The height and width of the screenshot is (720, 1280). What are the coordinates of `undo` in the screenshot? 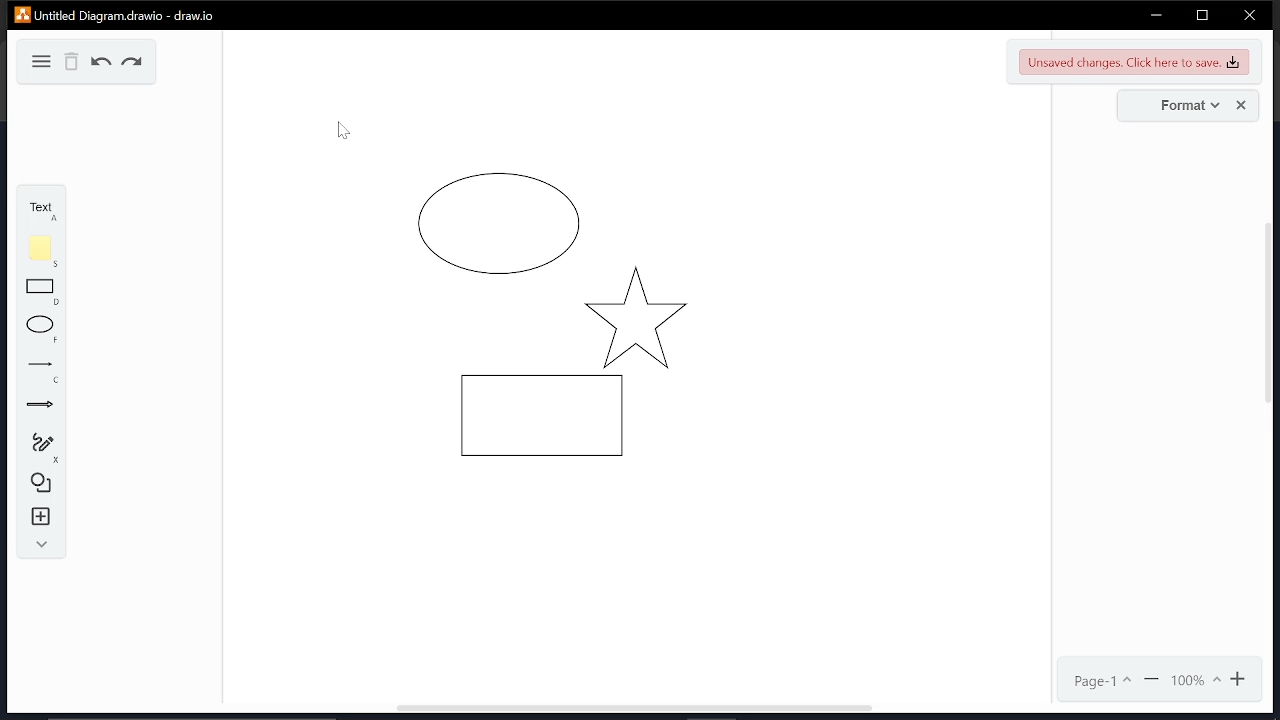 It's located at (102, 63).